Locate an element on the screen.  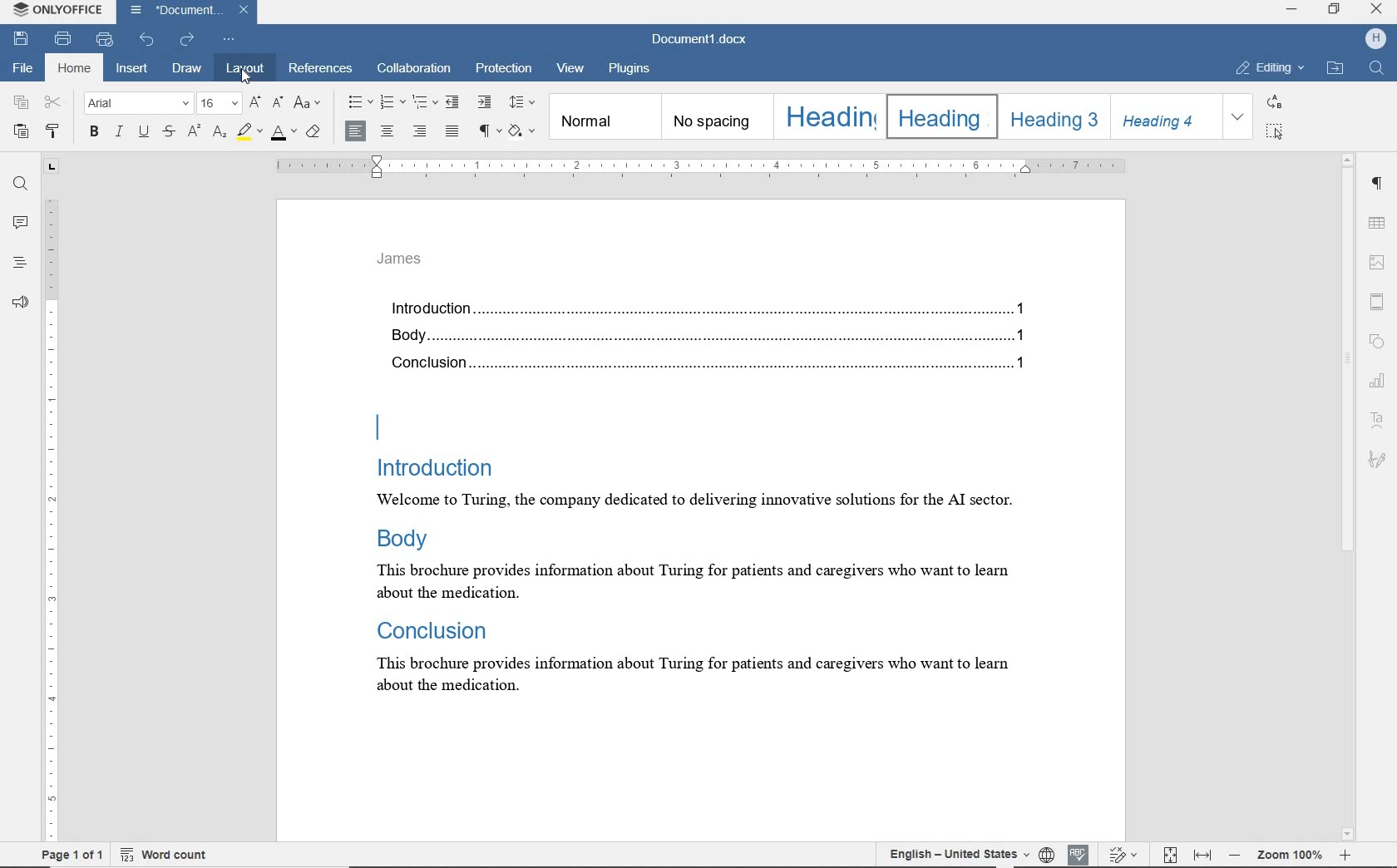
plugins is located at coordinates (632, 67).